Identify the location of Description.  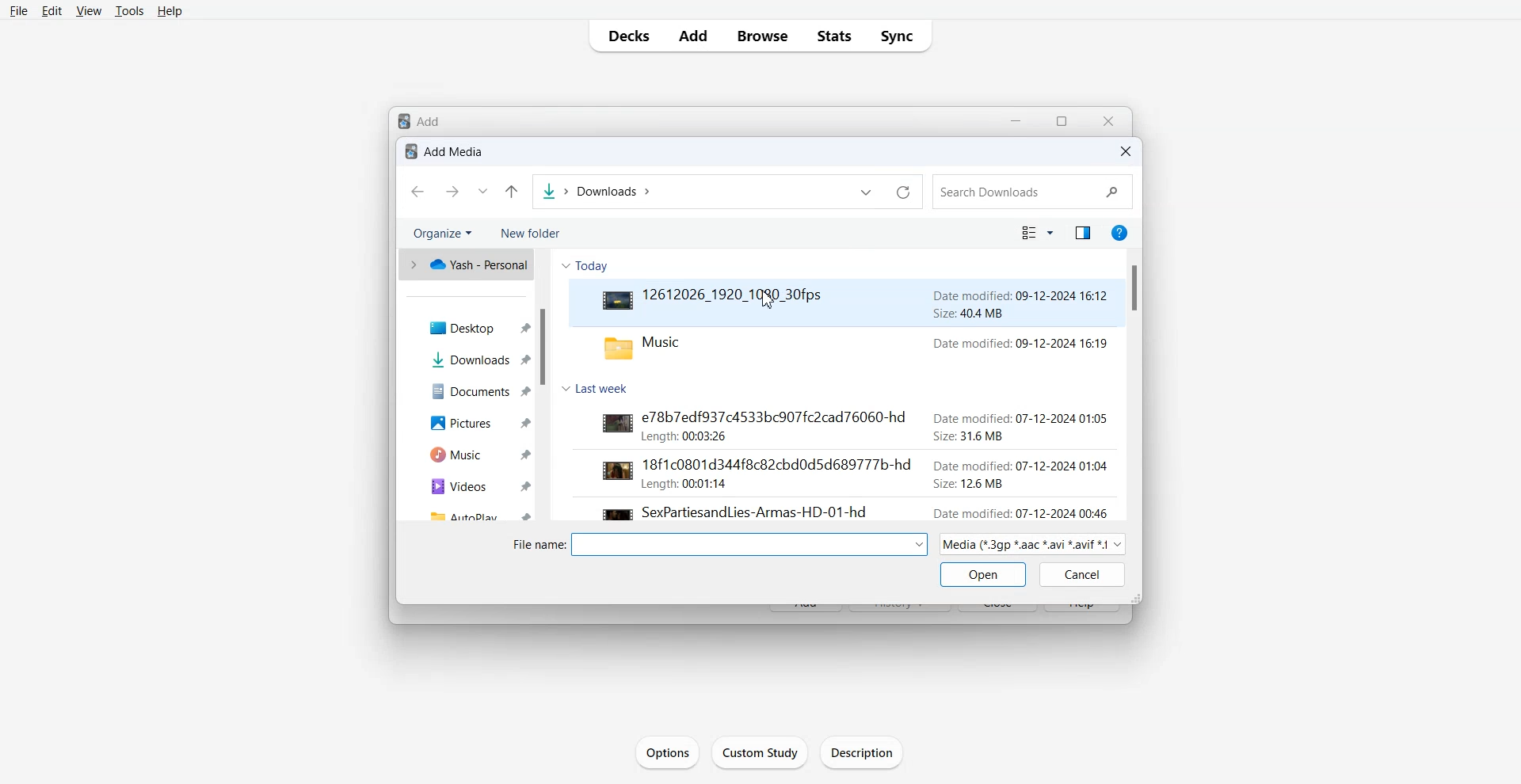
(859, 752).